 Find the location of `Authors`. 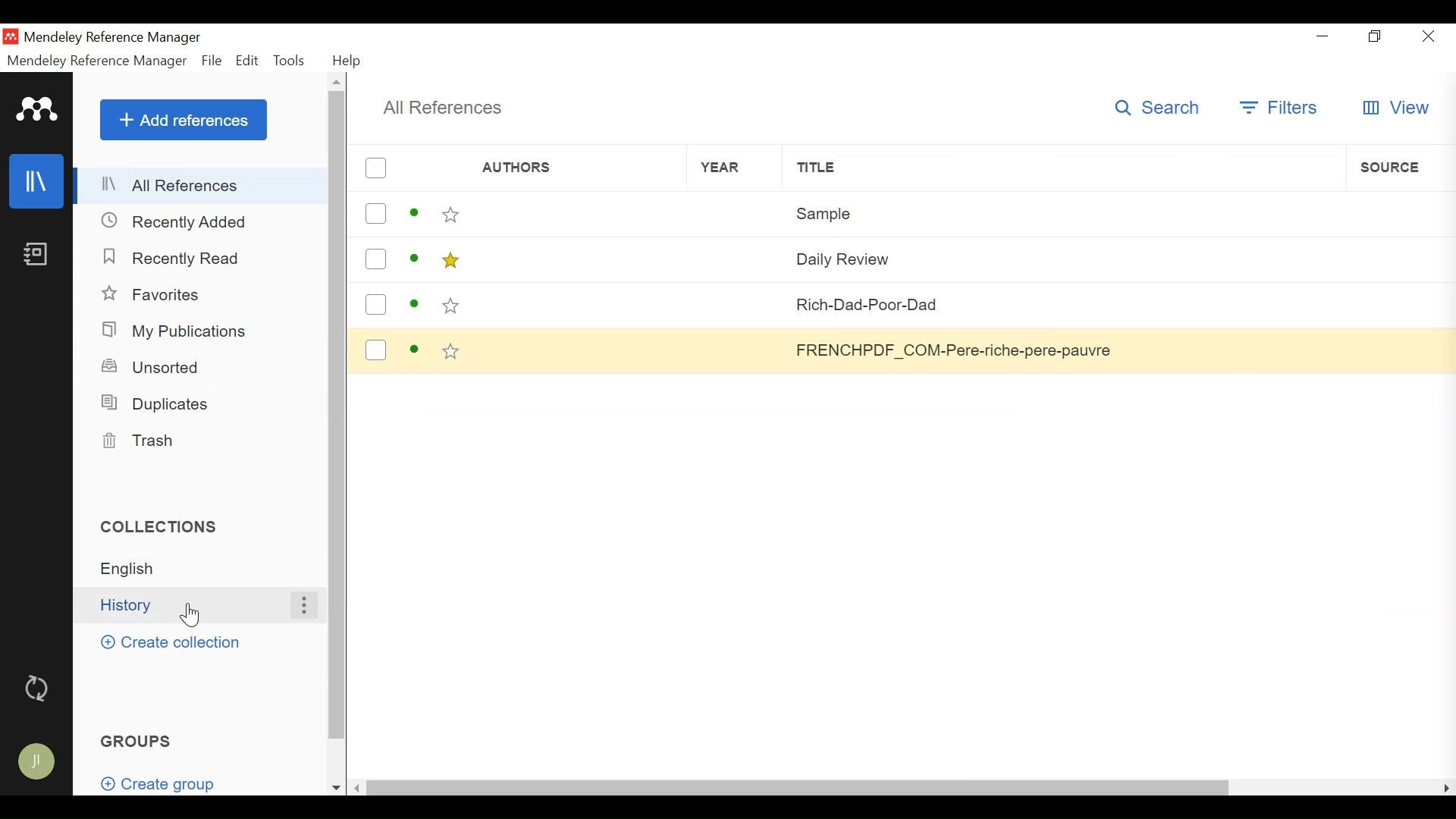

Authors is located at coordinates (576, 258).